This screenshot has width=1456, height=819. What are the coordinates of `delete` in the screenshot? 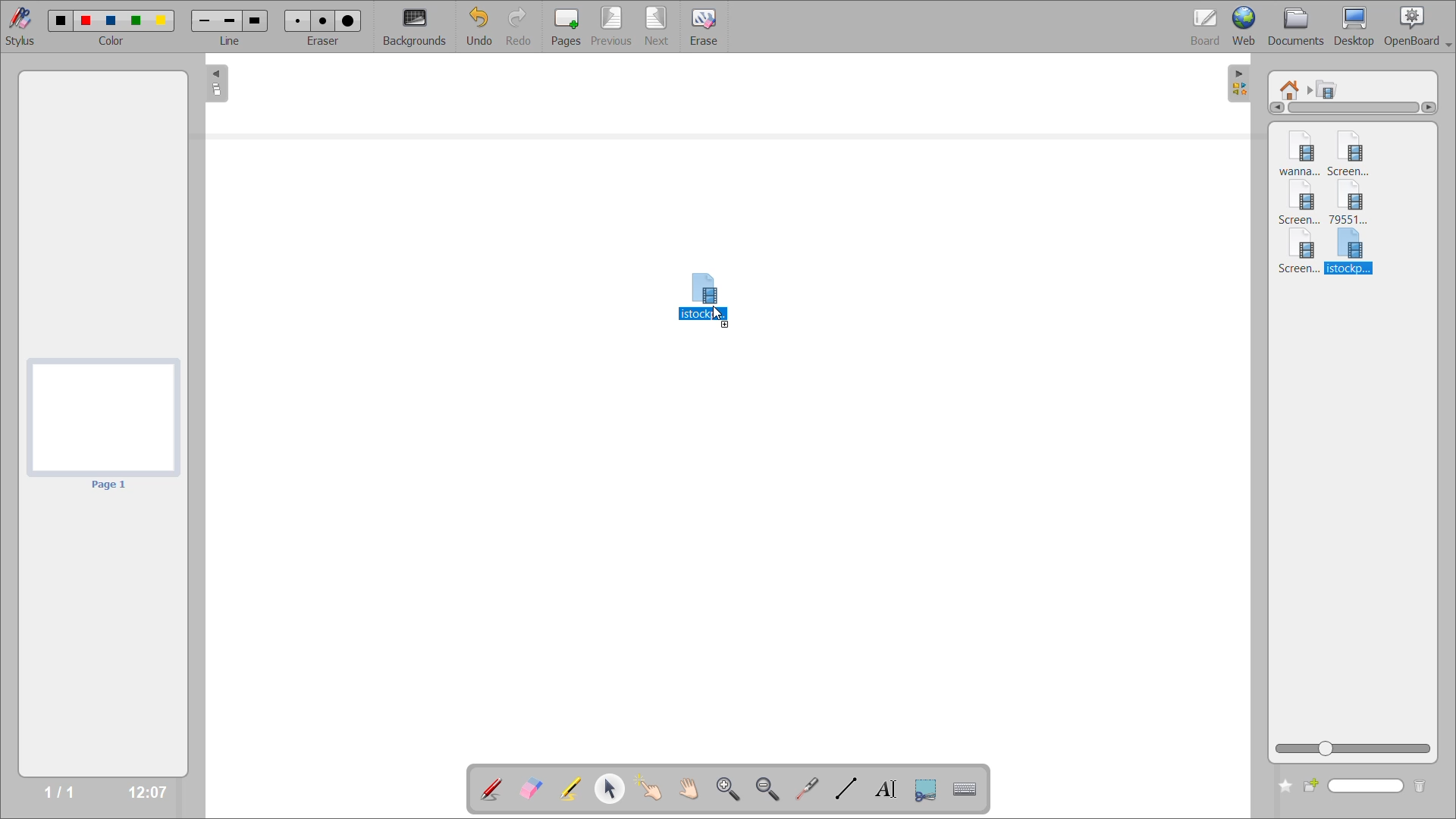 It's located at (1420, 787).